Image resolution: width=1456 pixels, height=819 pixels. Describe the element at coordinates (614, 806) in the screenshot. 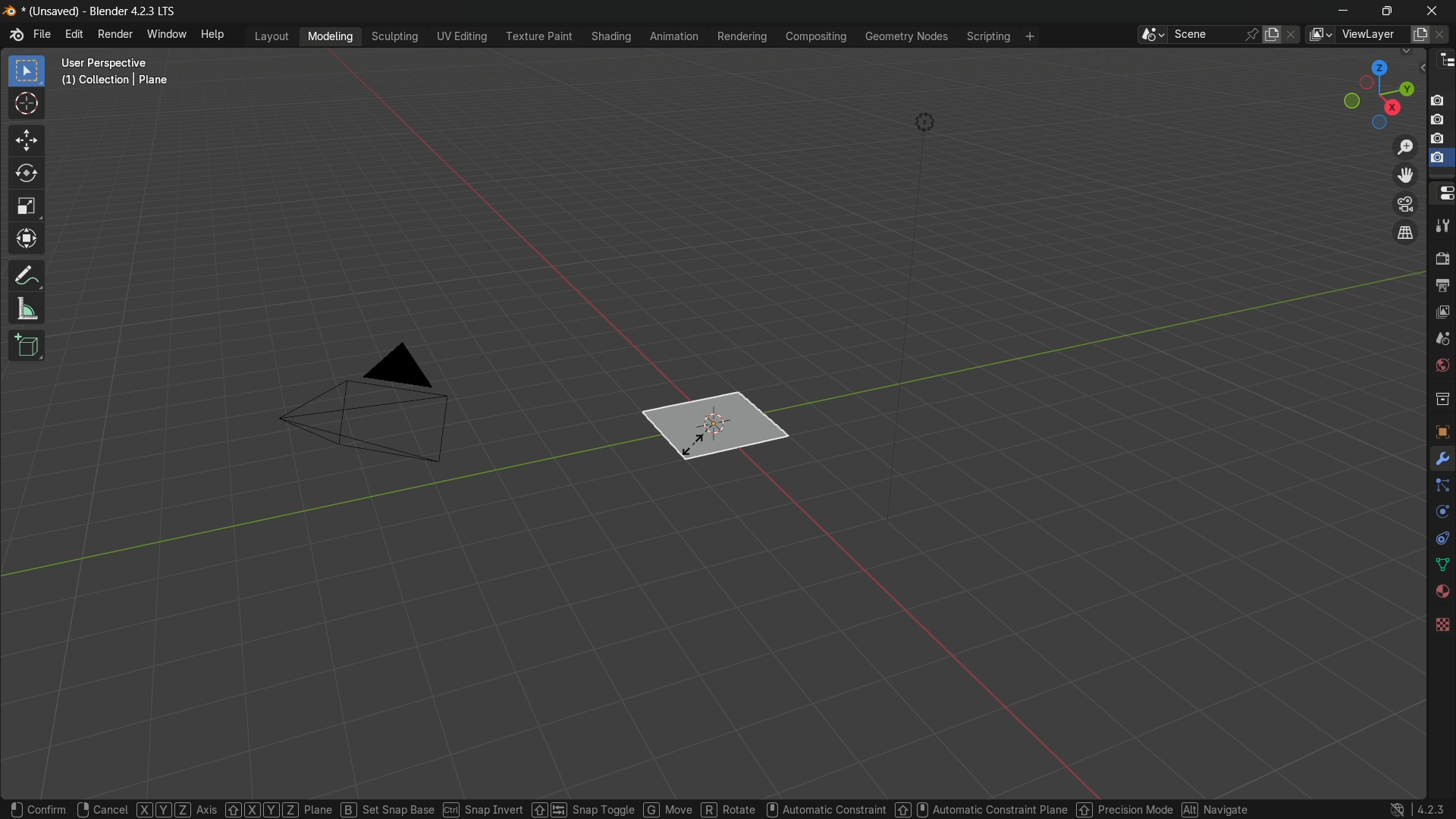

I see `snap toggle G` at that location.